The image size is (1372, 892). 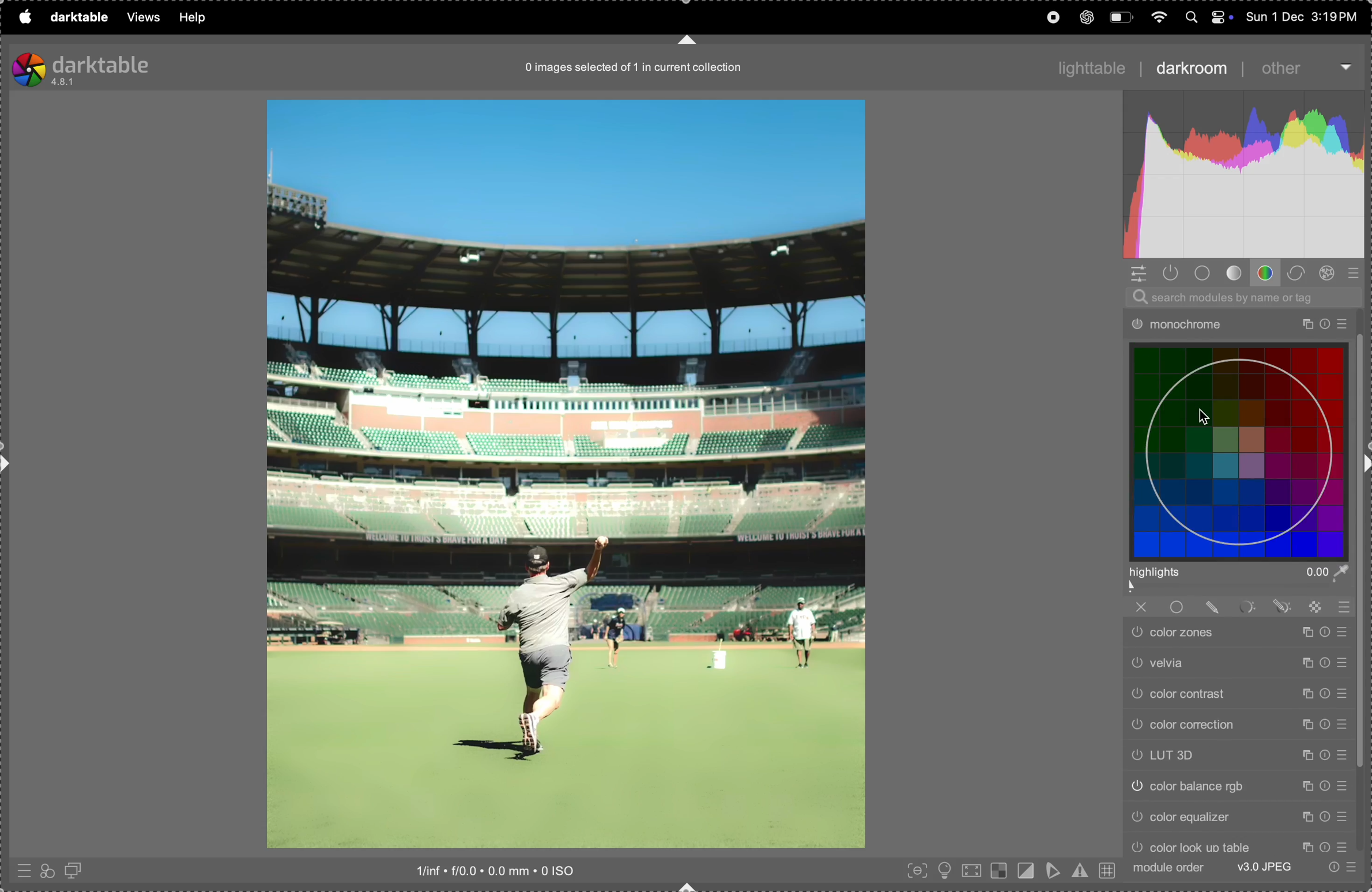 What do you see at coordinates (82, 66) in the screenshot?
I see `darktable` at bounding box center [82, 66].